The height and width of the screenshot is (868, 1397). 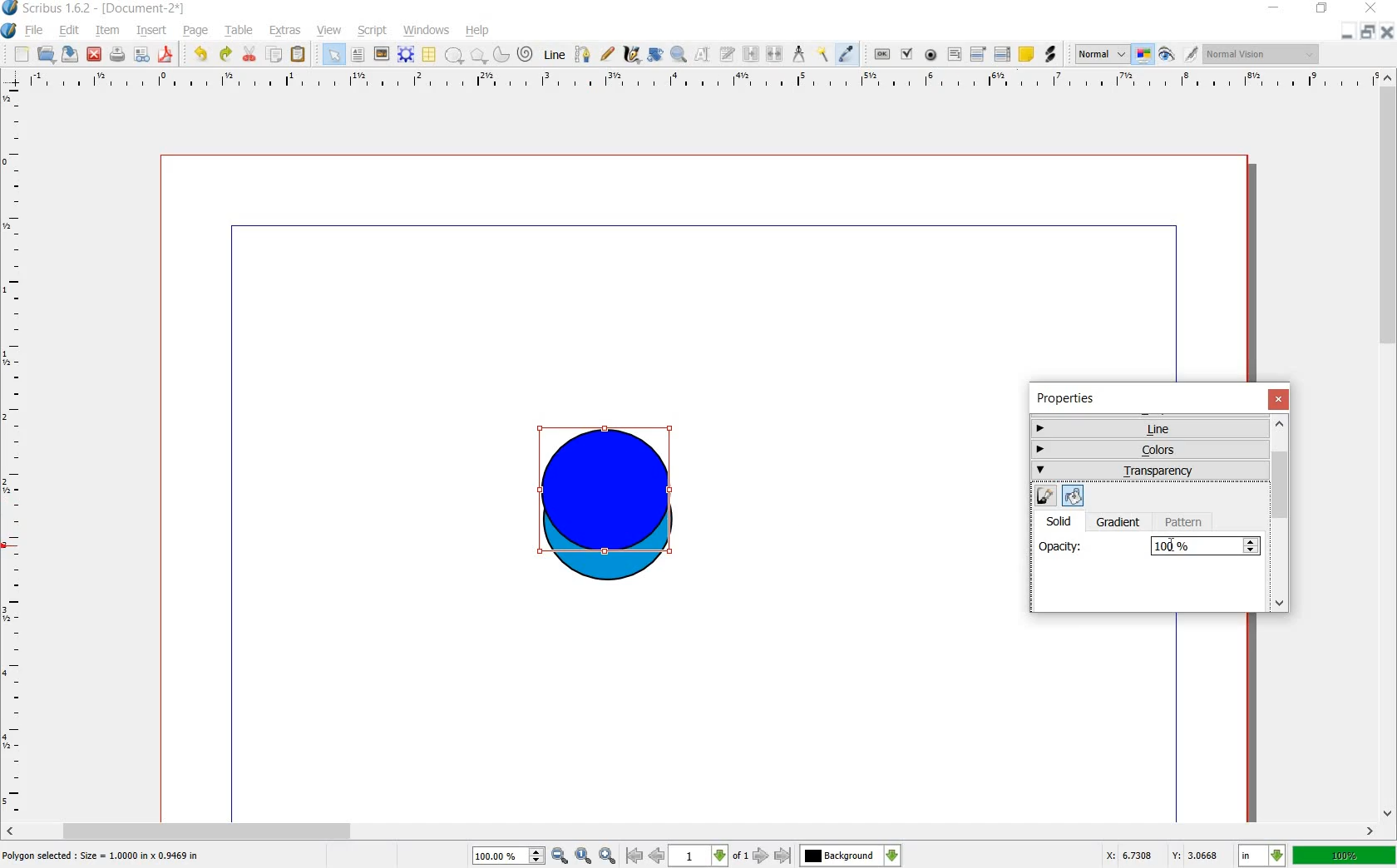 I want to click on cut, so click(x=251, y=55).